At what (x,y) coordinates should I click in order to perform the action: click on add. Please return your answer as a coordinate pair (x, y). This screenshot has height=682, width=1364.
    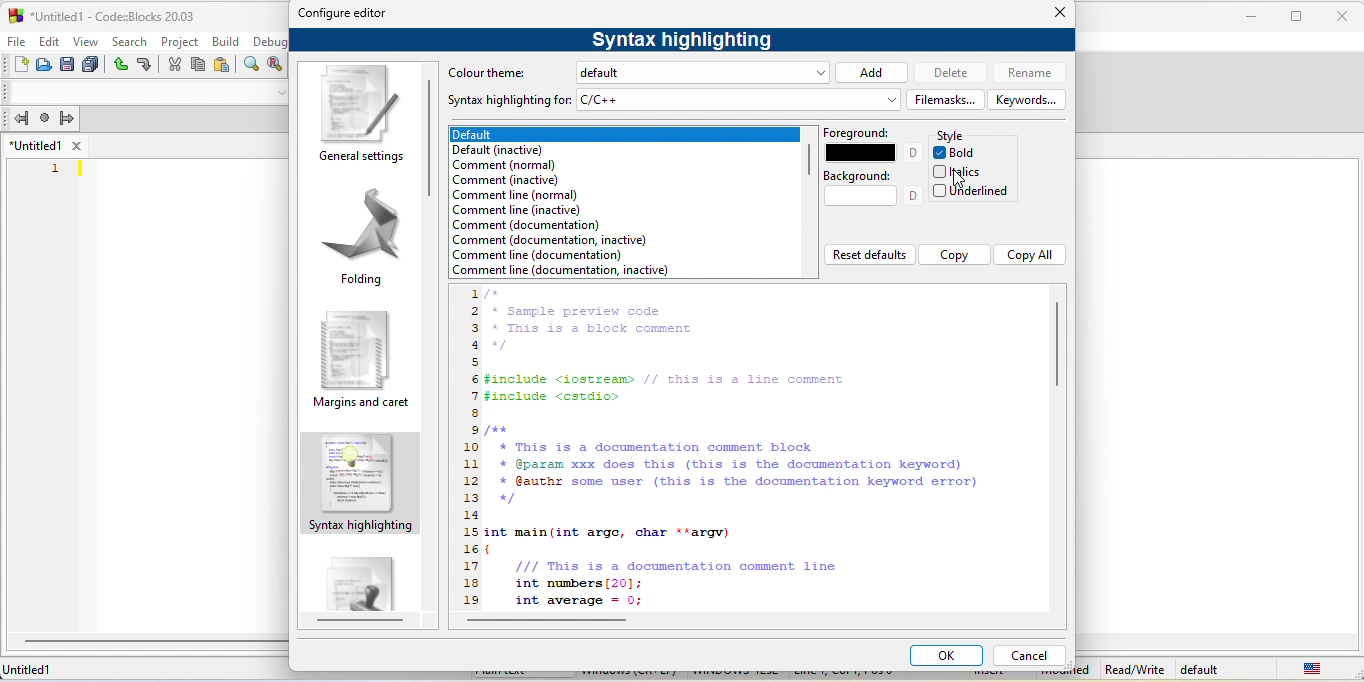
    Looking at the image, I should click on (872, 72).